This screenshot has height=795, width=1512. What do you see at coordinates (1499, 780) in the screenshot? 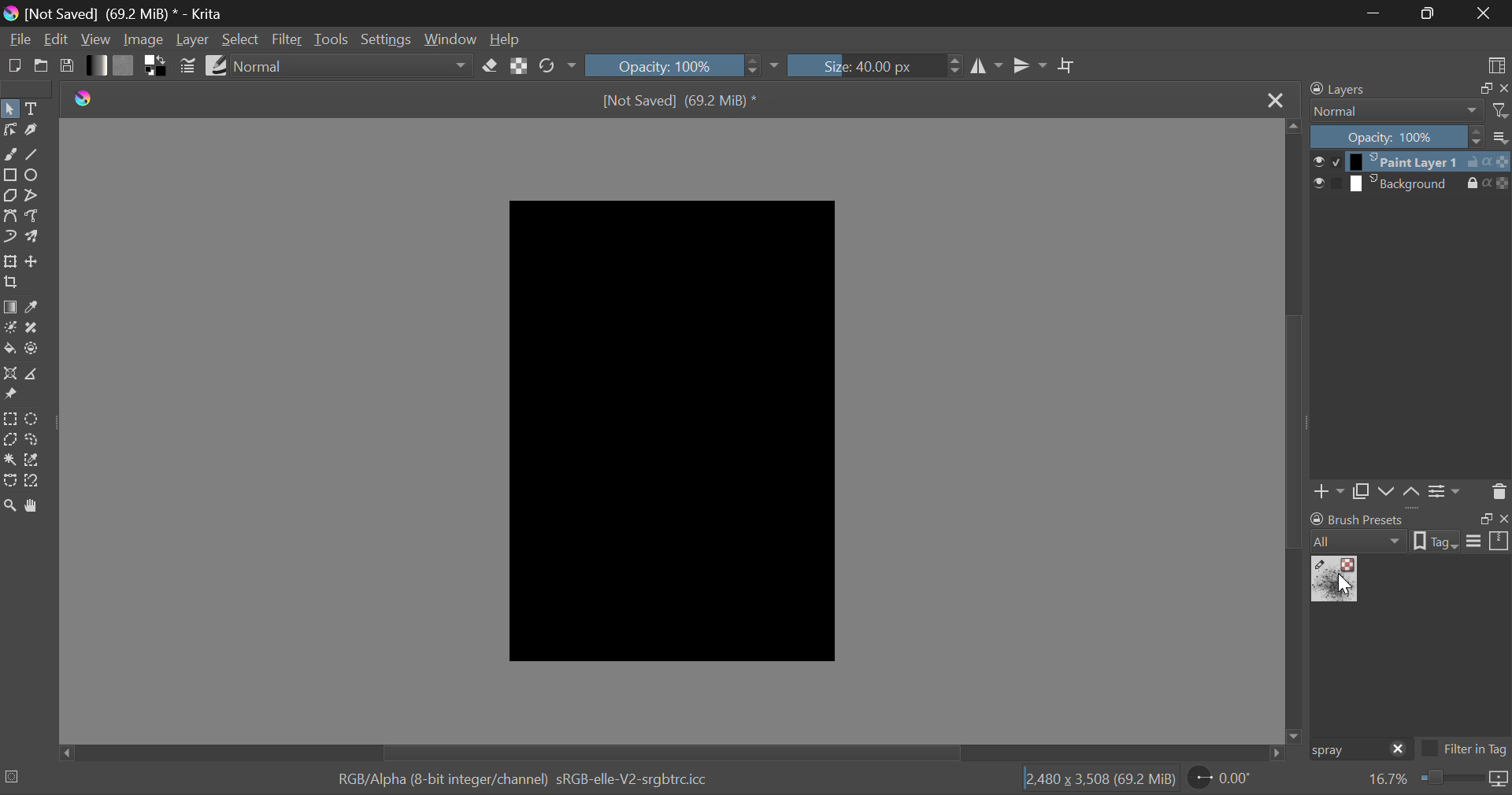
I see `icon` at bounding box center [1499, 780].